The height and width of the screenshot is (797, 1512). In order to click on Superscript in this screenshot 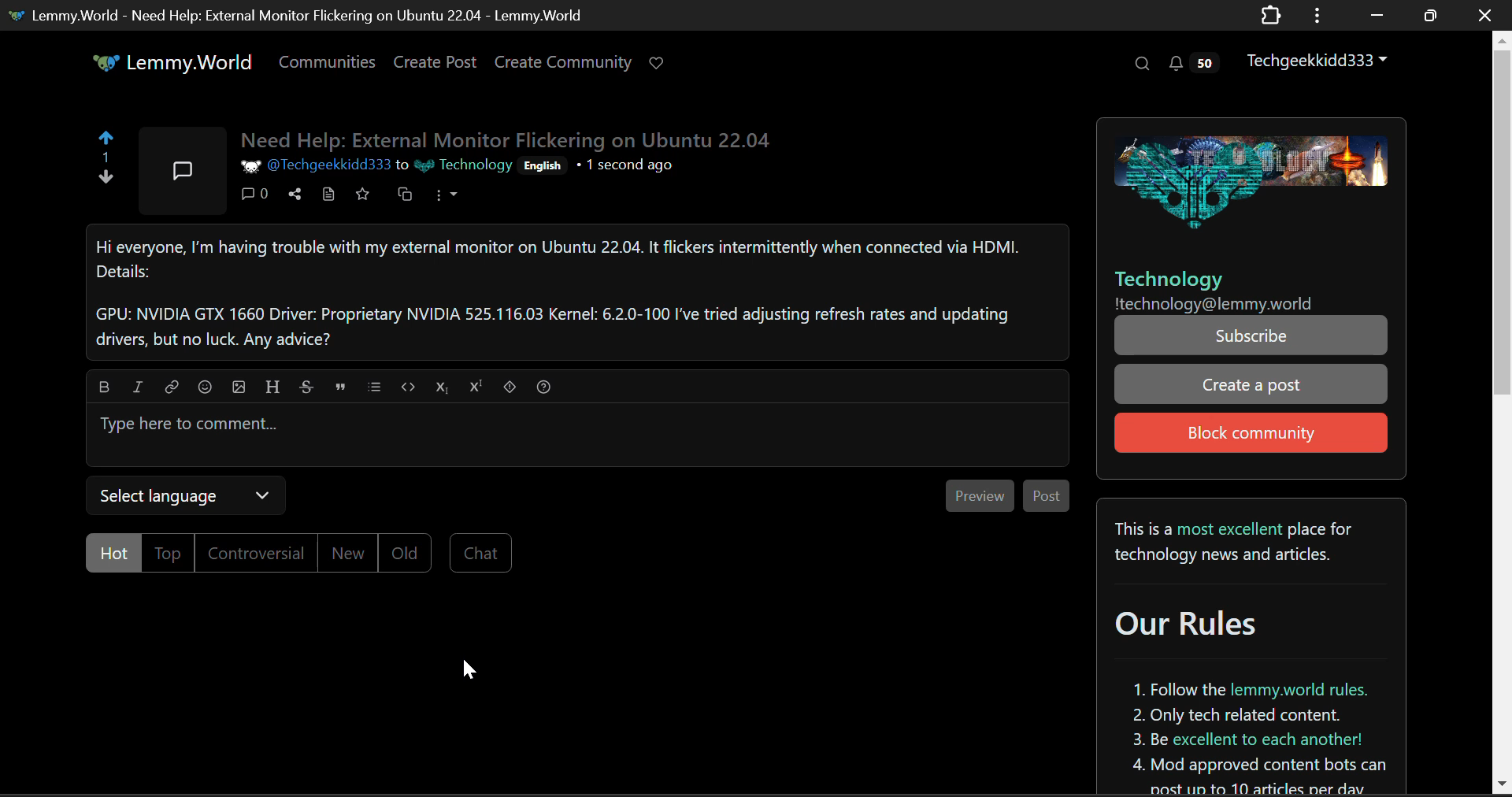, I will do `click(477, 385)`.